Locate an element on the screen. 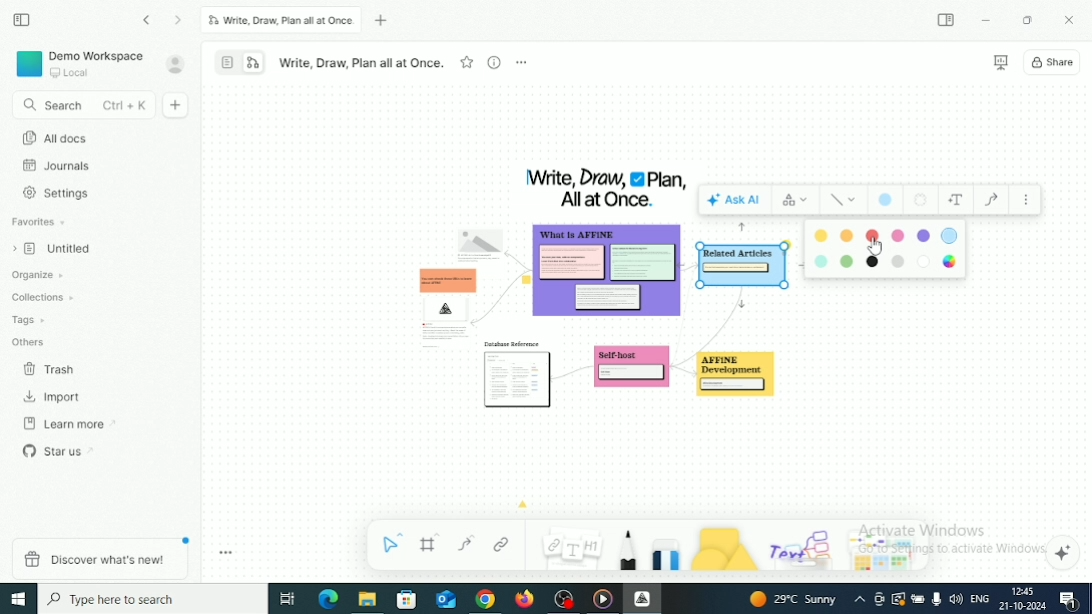 This screenshot has width=1092, height=614. Frame is located at coordinates (431, 543).